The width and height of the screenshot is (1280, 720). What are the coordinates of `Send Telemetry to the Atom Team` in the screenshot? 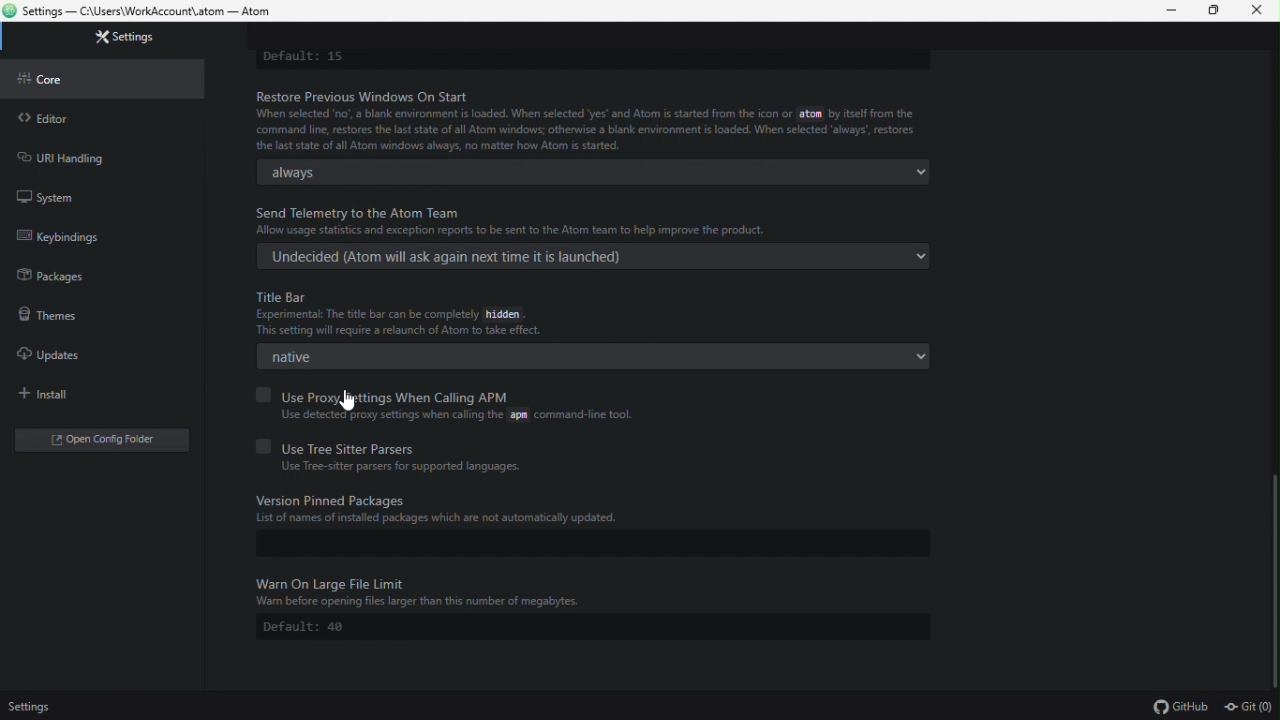 It's located at (359, 213).